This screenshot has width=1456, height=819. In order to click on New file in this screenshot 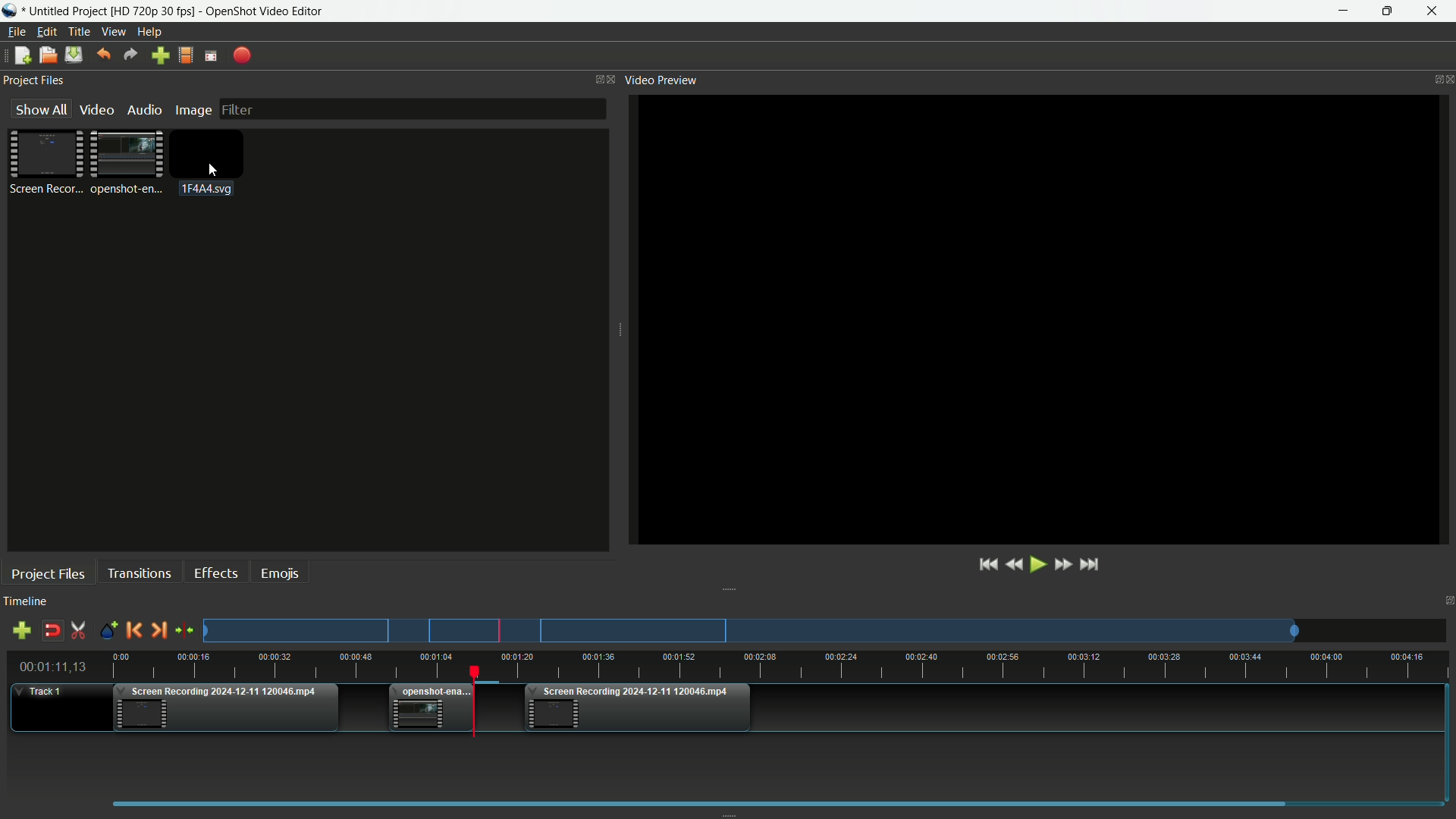, I will do `click(19, 57)`.